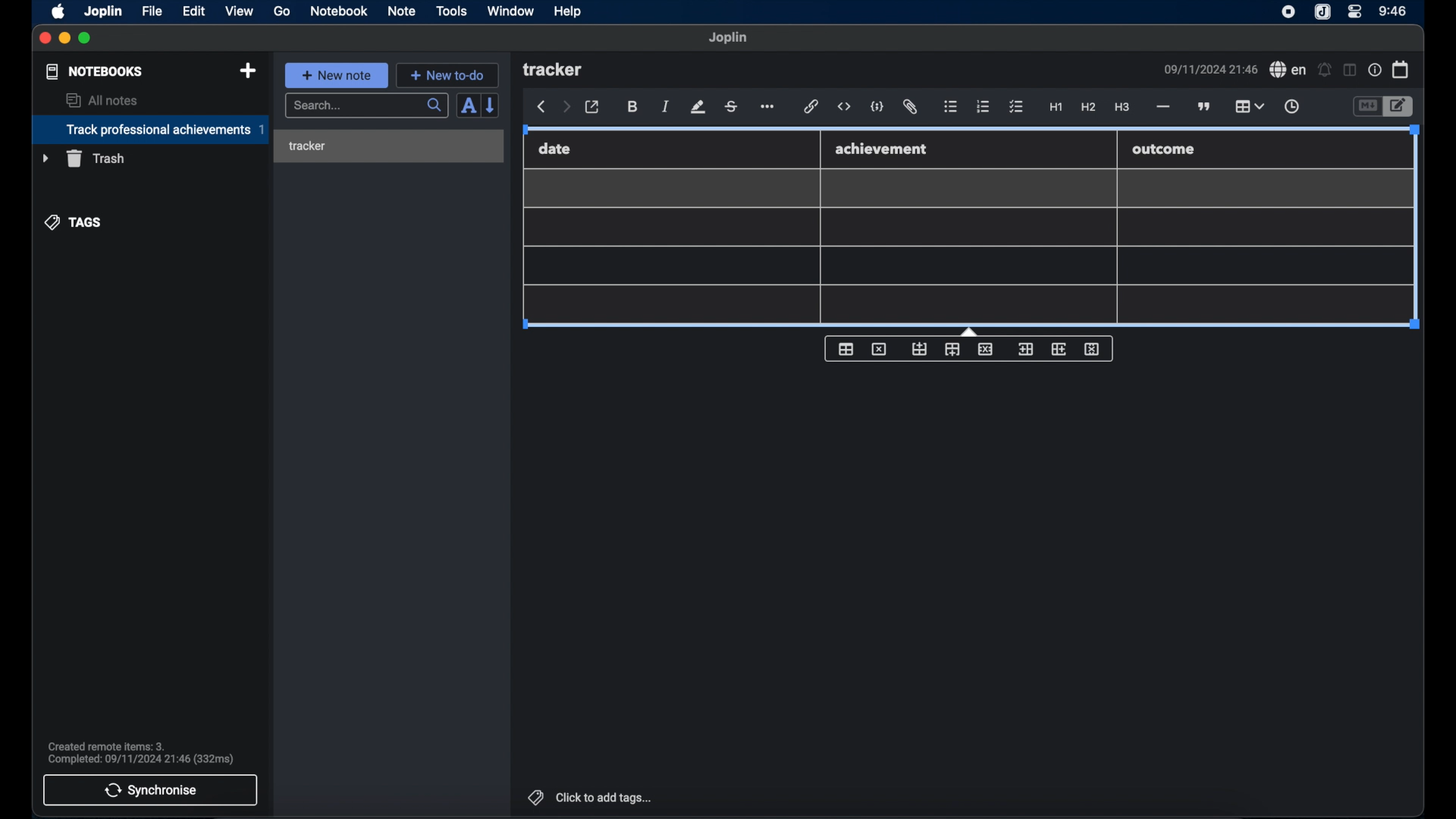 The image size is (1456, 819). Describe the element at coordinates (1165, 149) in the screenshot. I see `outcome` at that location.